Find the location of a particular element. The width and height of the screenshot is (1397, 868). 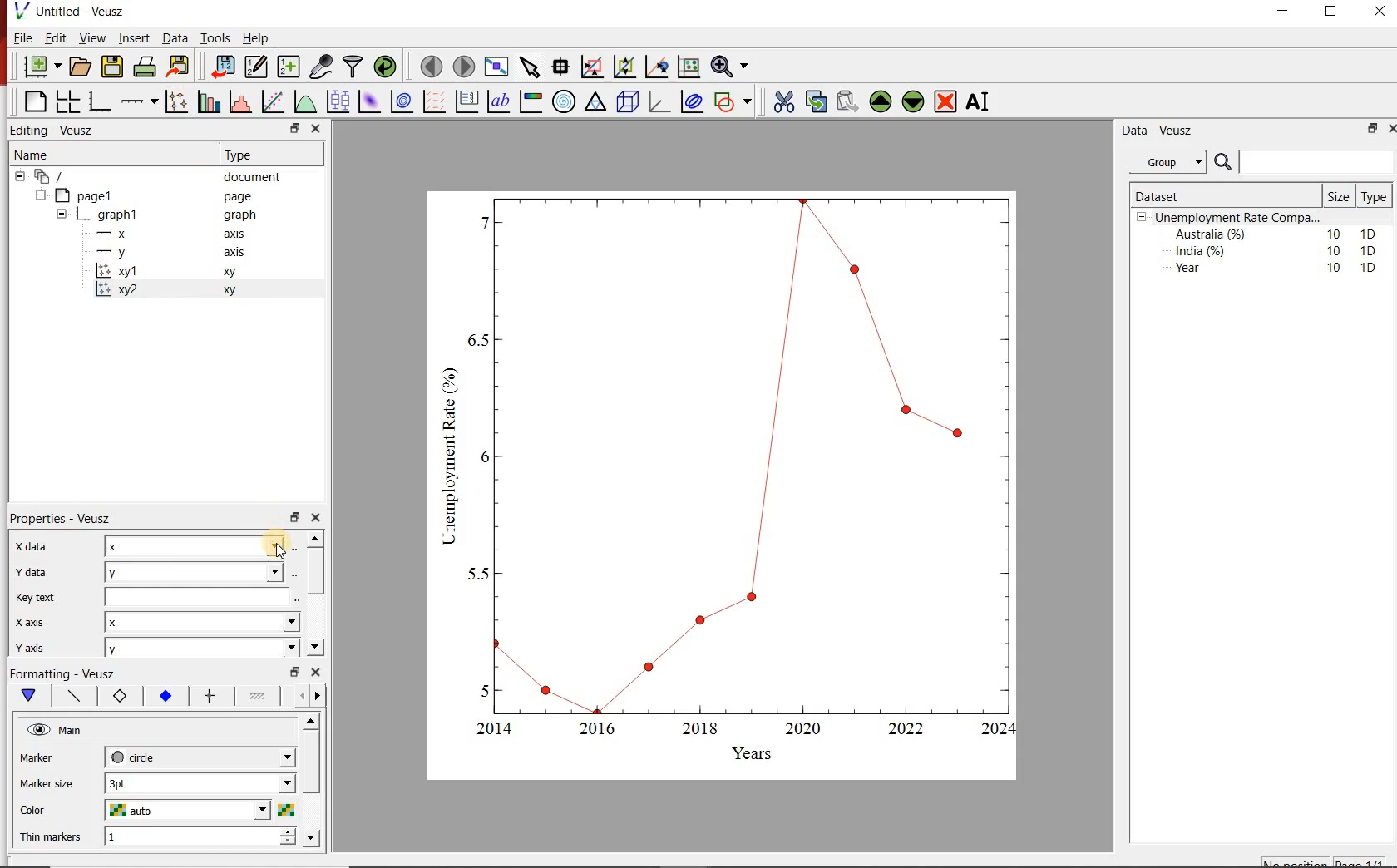

move up is located at coordinates (315, 538).